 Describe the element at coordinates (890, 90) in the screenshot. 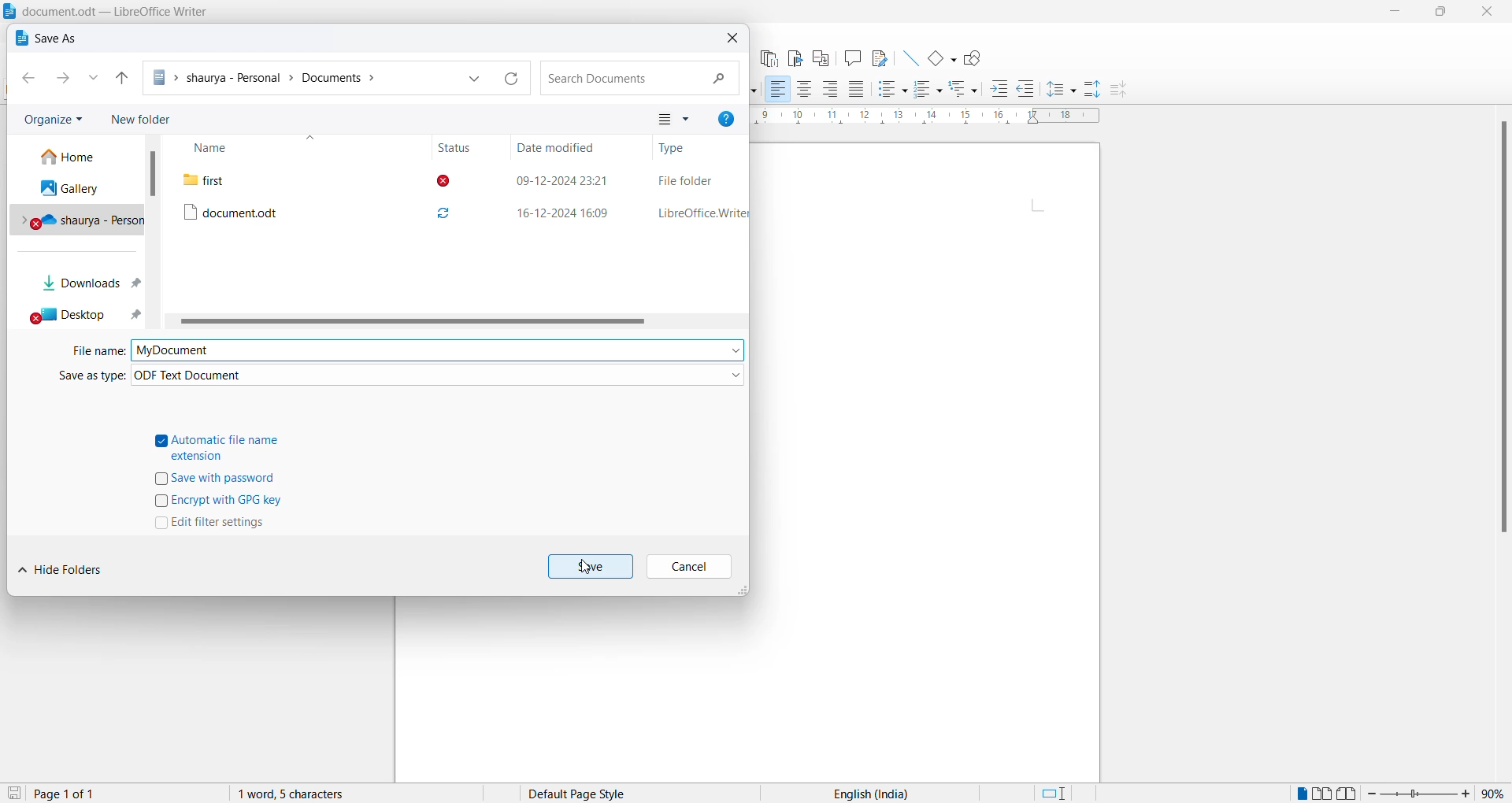

I see `Toggle unordered list` at that location.